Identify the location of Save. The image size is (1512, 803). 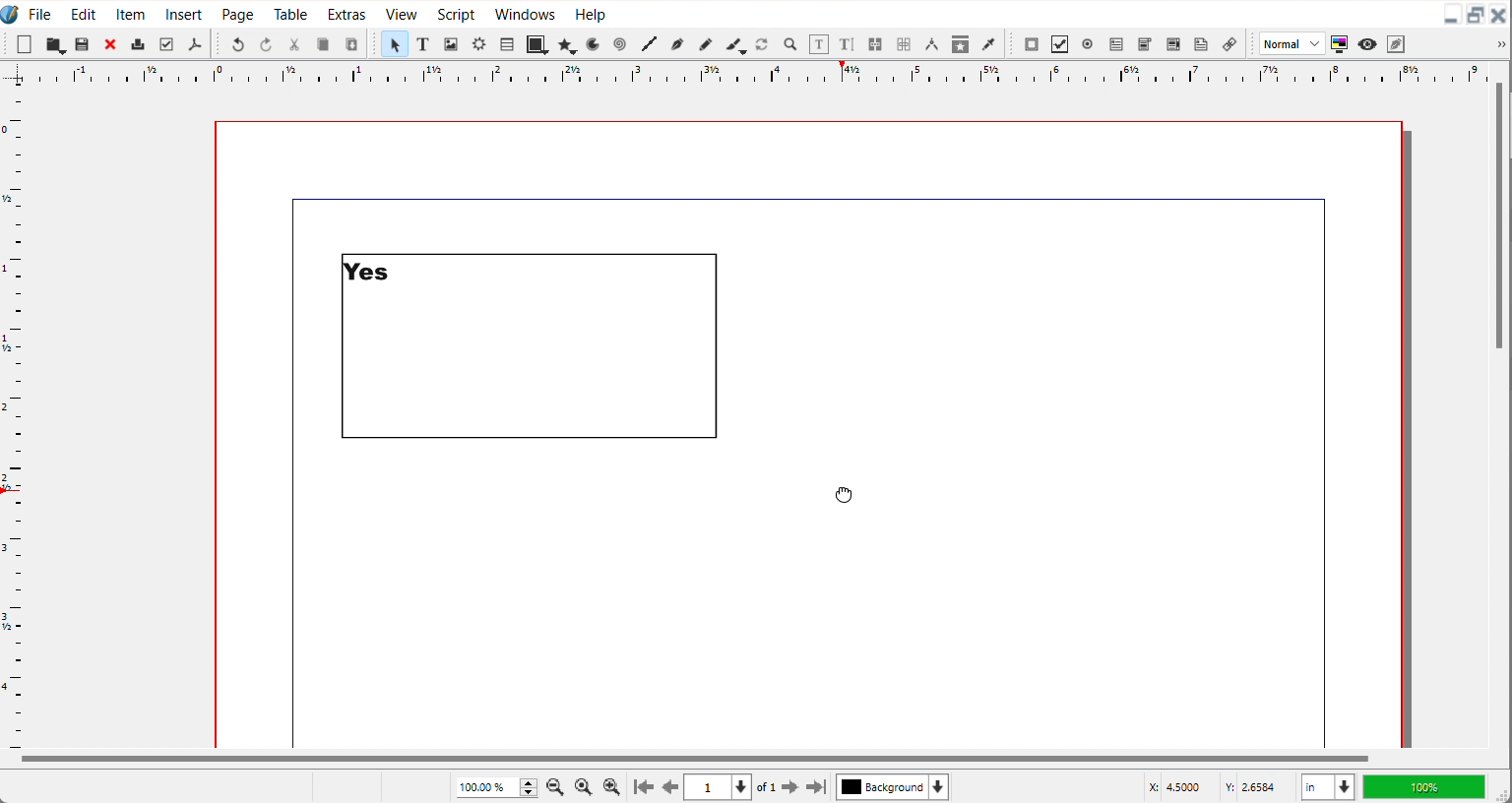
(55, 44).